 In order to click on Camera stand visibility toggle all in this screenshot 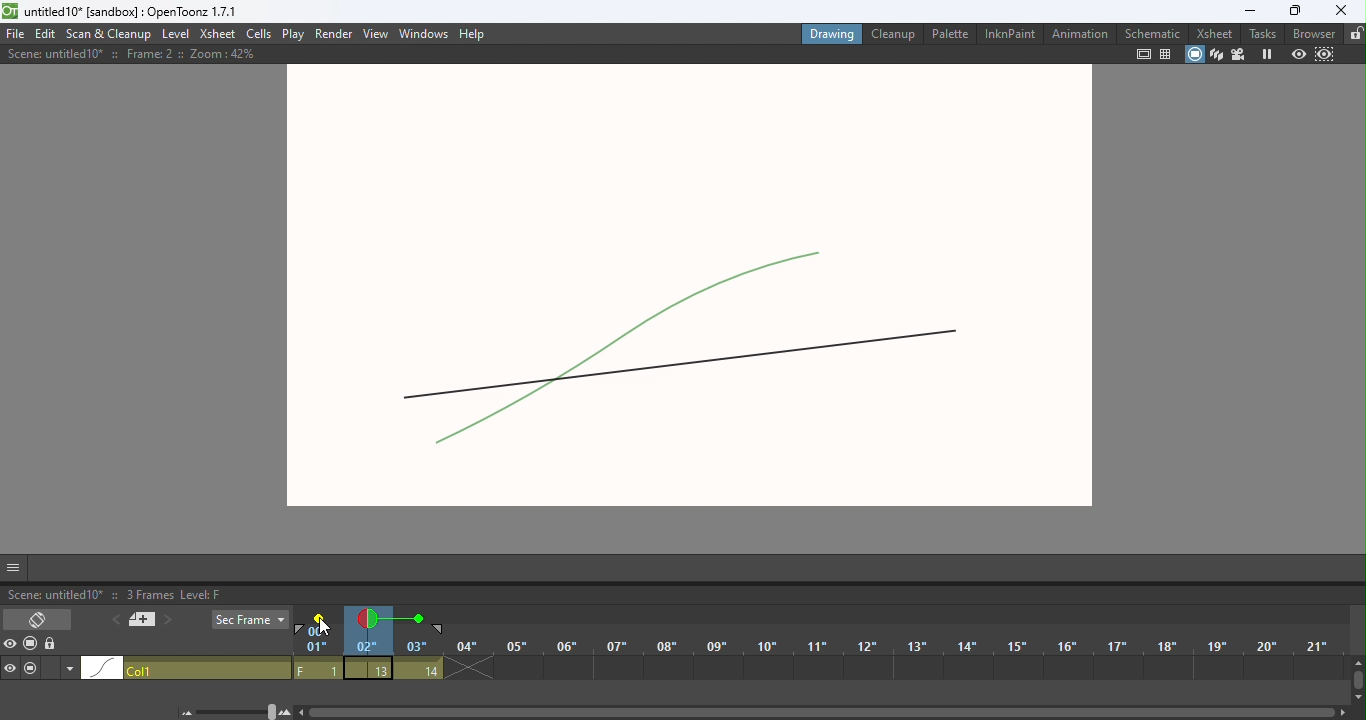, I will do `click(30, 645)`.